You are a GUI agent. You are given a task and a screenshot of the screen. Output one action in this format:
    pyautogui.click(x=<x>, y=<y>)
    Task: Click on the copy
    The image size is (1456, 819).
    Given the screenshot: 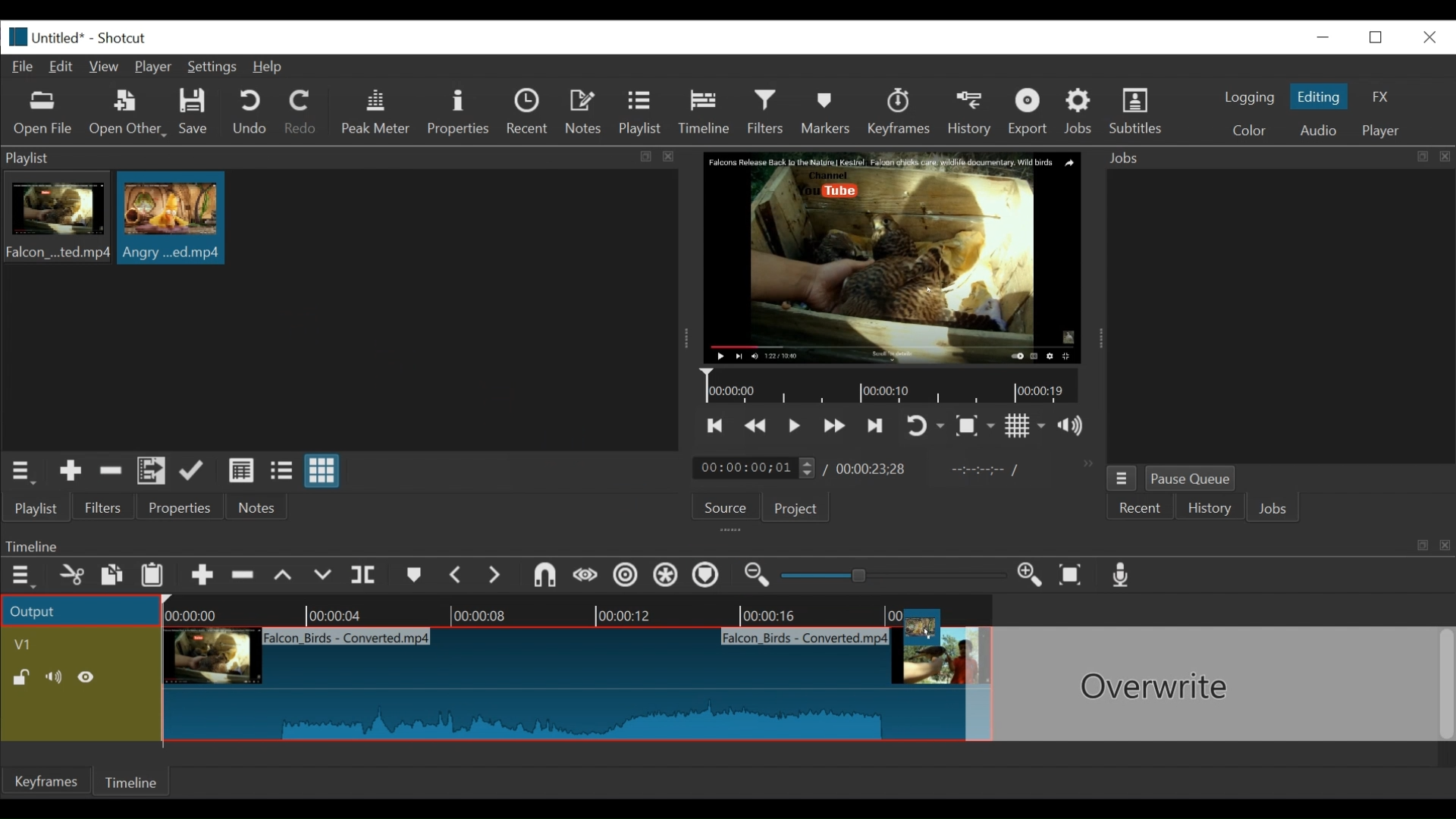 What is the action you would take?
    pyautogui.click(x=113, y=577)
    